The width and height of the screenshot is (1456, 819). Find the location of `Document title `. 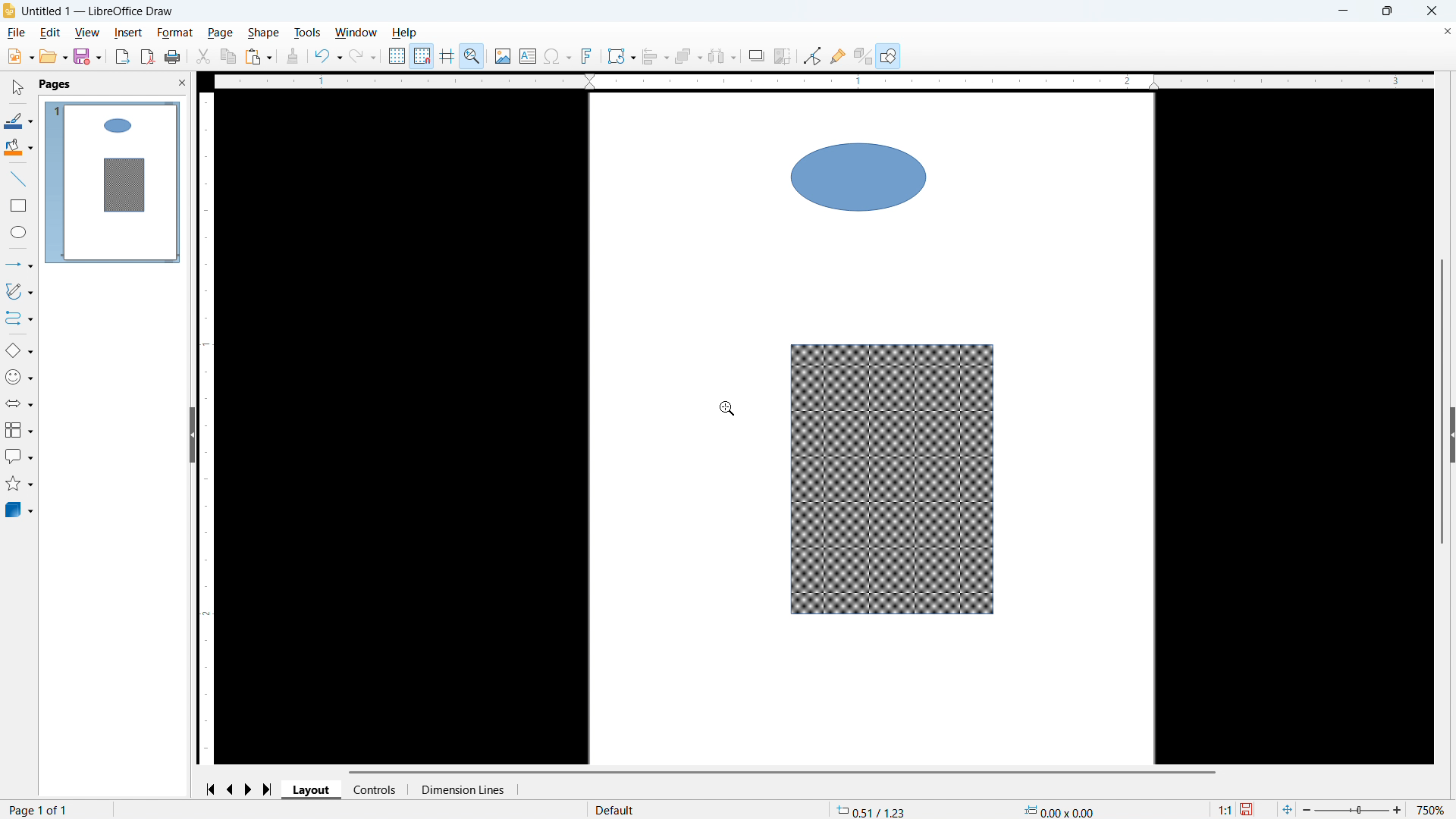

Document title  is located at coordinates (98, 11).